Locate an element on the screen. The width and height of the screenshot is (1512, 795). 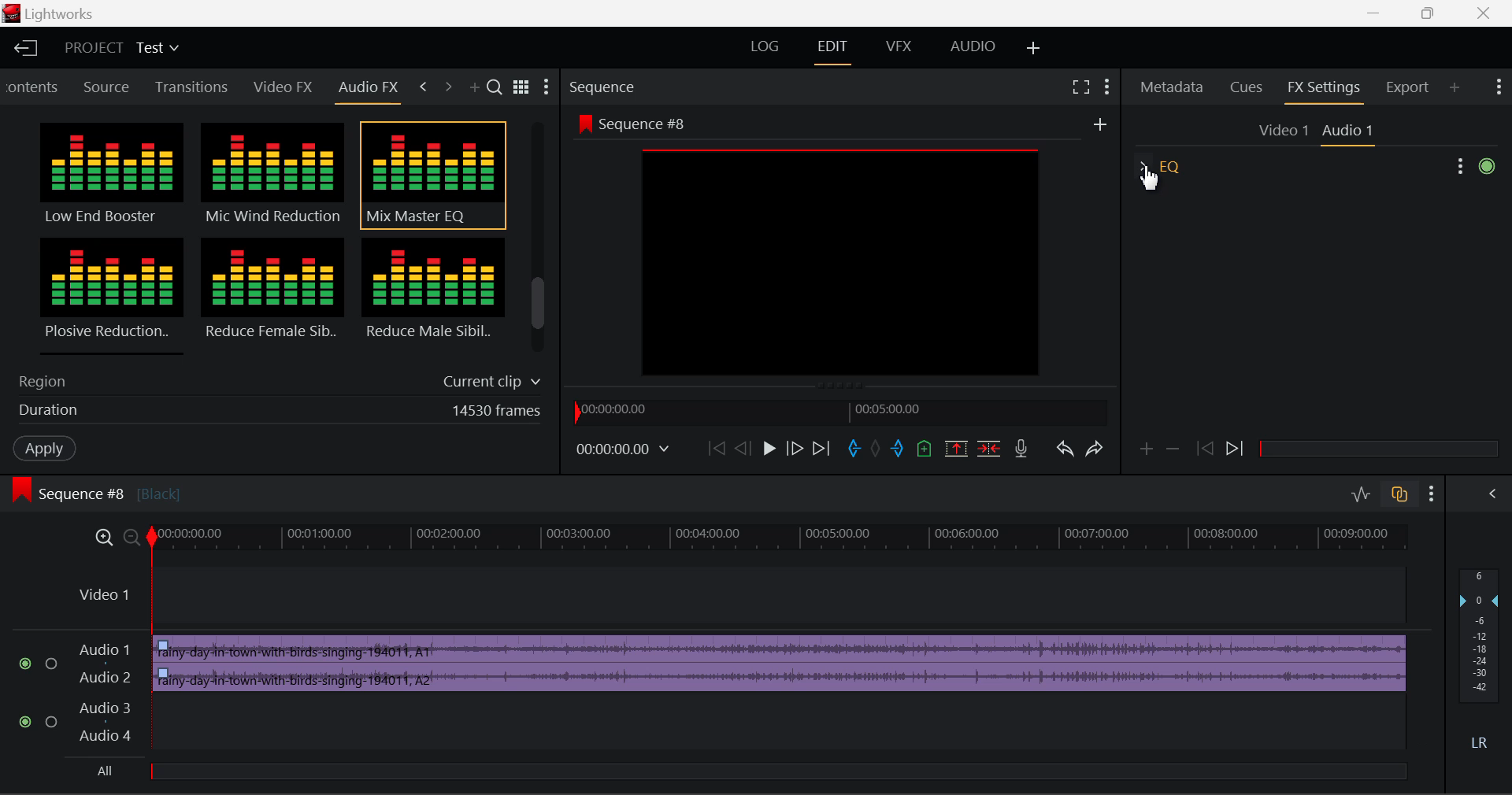
AUDIO Layout is located at coordinates (972, 48).